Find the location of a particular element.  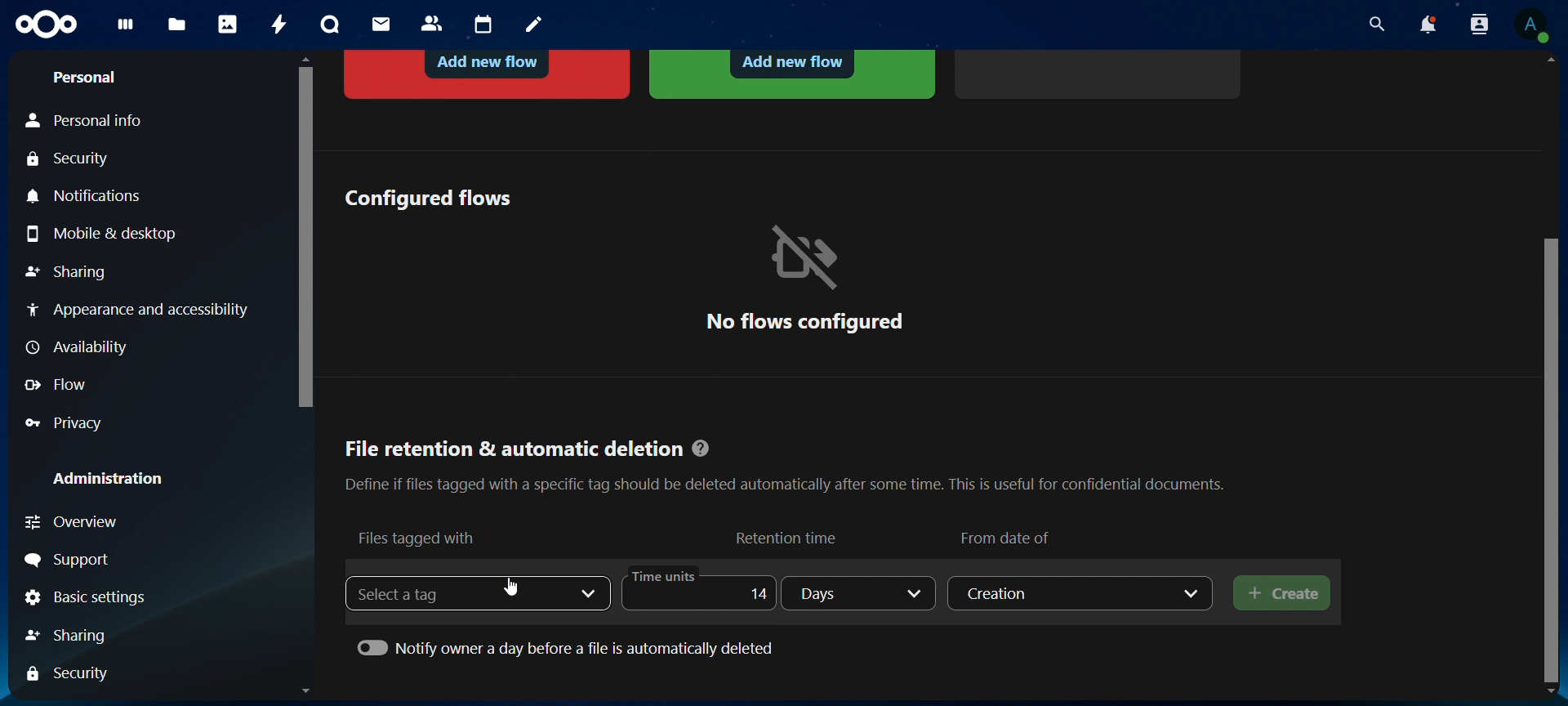

notifications is located at coordinates (89, 197).